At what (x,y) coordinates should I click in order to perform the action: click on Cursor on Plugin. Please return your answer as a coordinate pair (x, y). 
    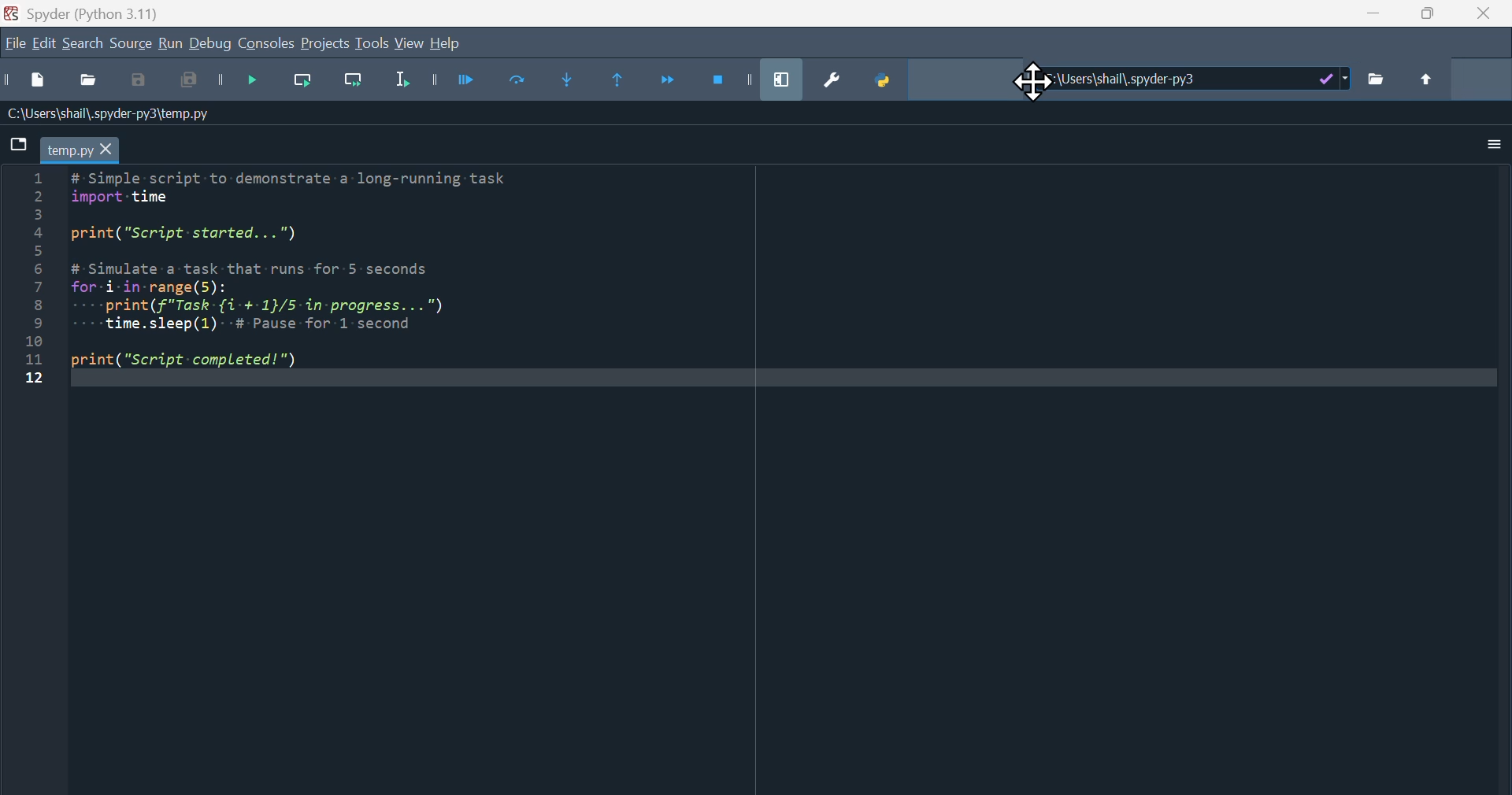
    Looking at the image, I should click on (1038, 83).